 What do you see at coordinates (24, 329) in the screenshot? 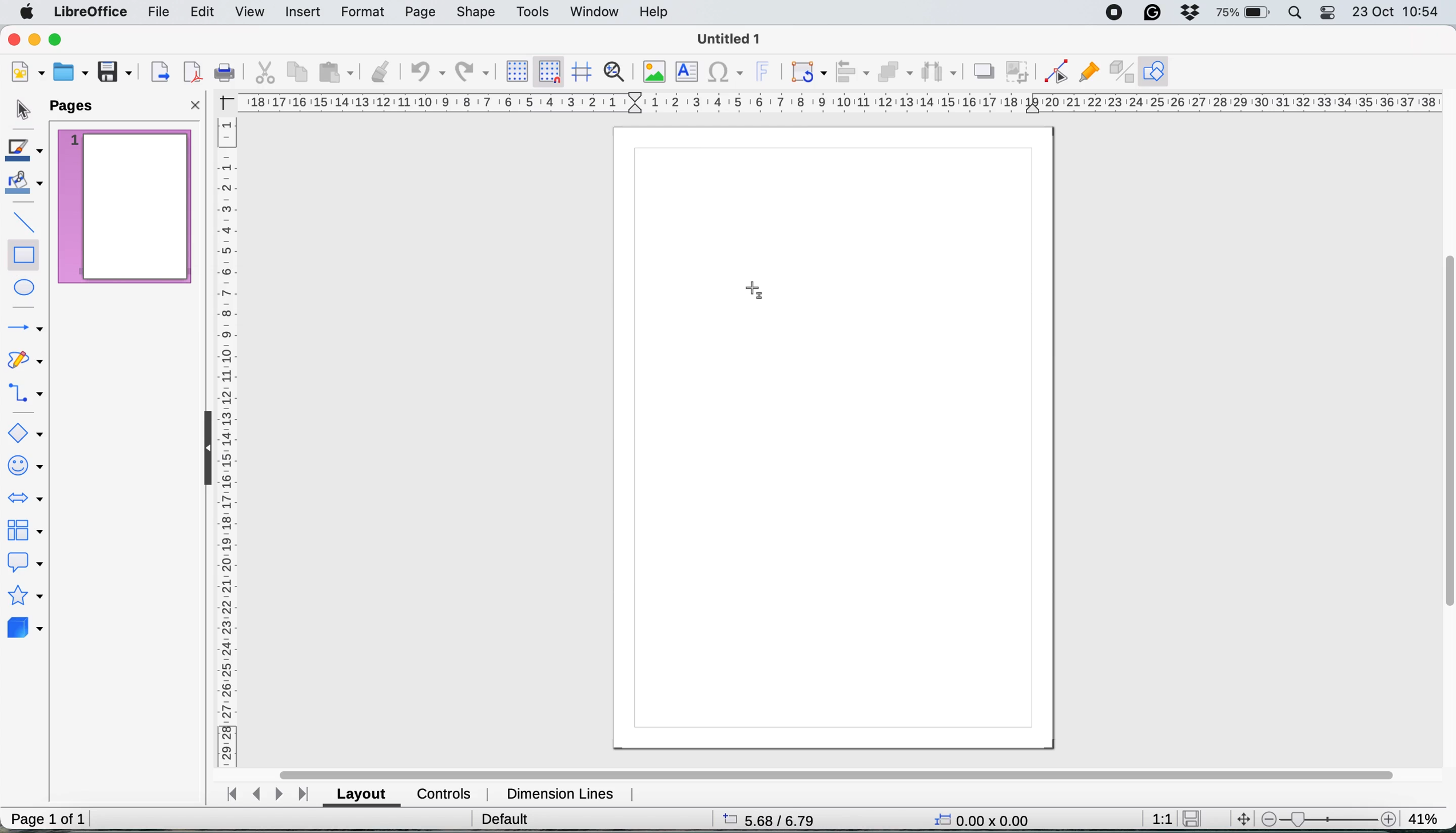
I see `lines and arrows` at bounding box center [24, 329].